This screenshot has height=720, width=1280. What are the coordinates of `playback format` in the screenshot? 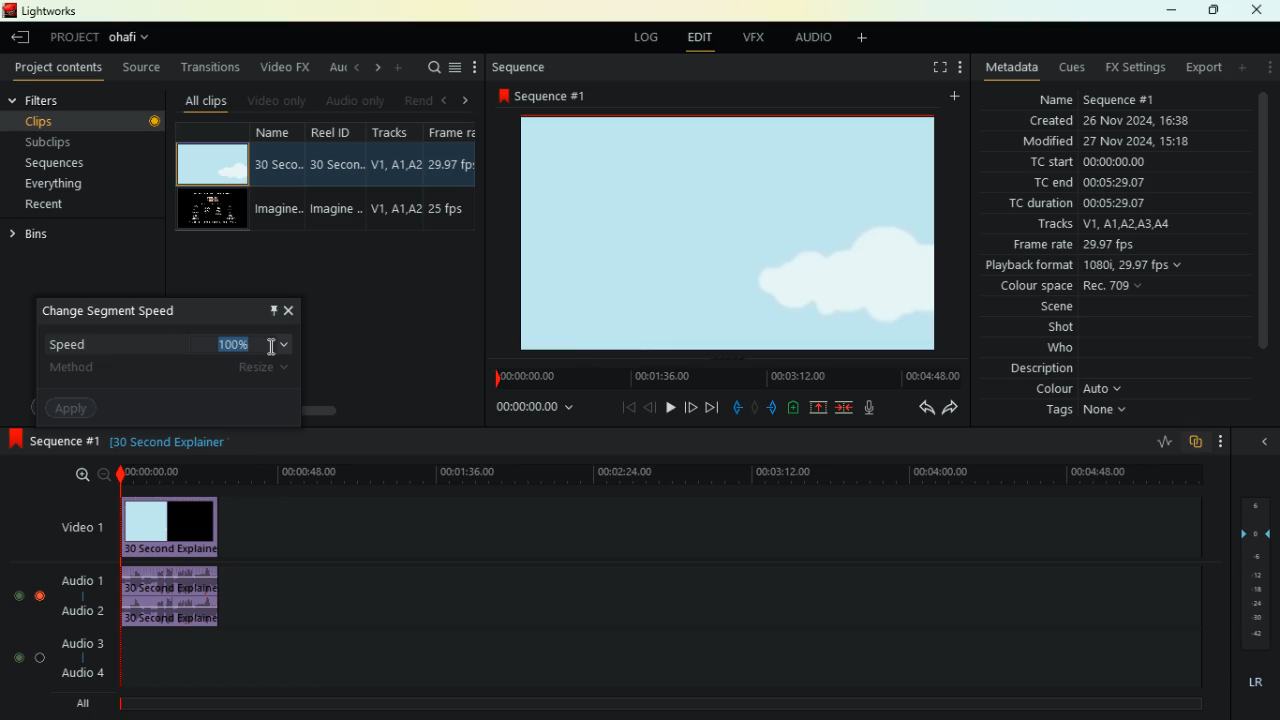 It's located at (1096, 267).